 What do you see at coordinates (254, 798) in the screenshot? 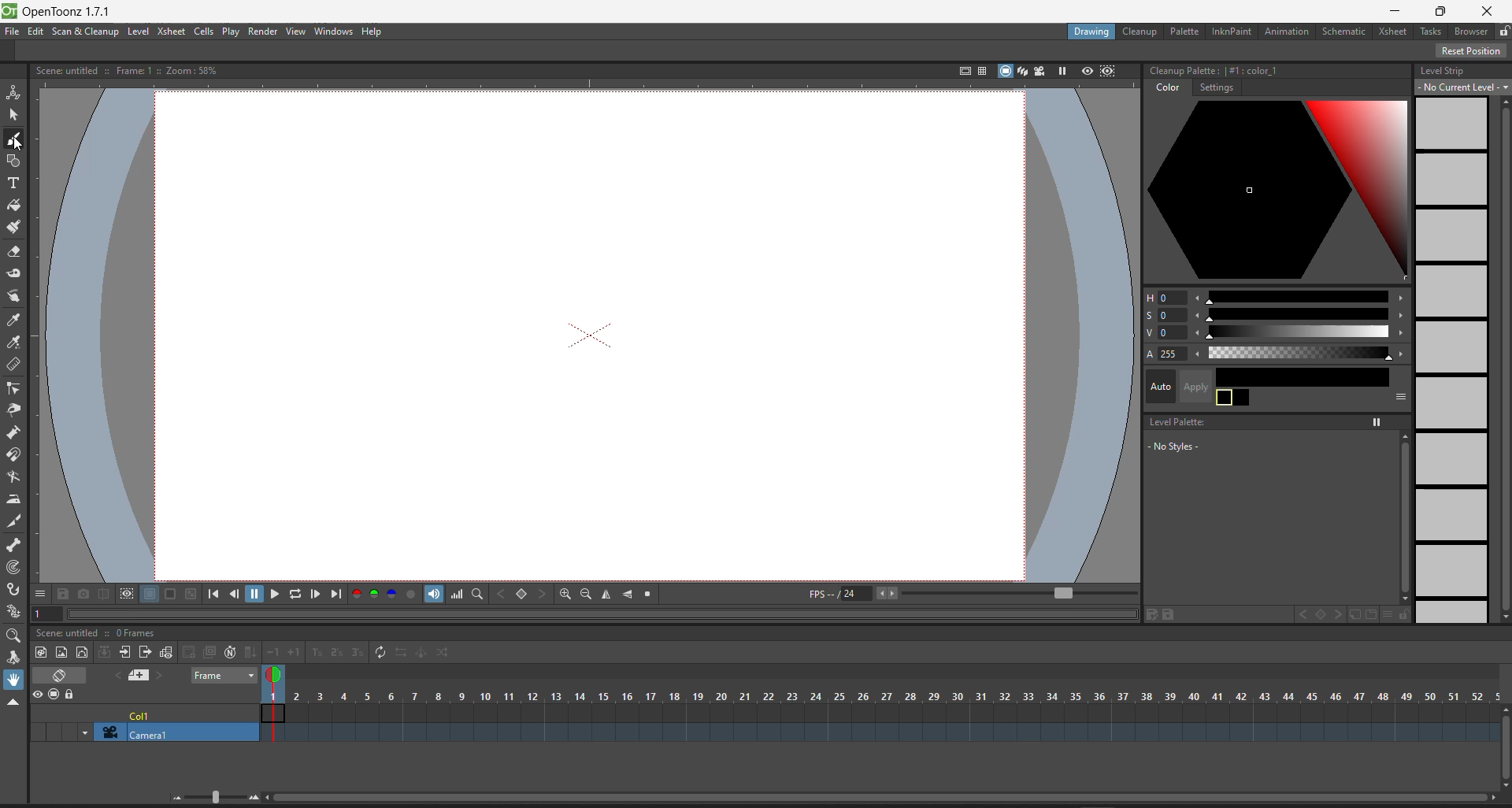
I see `zoom in` at bounding box center [254, 798].